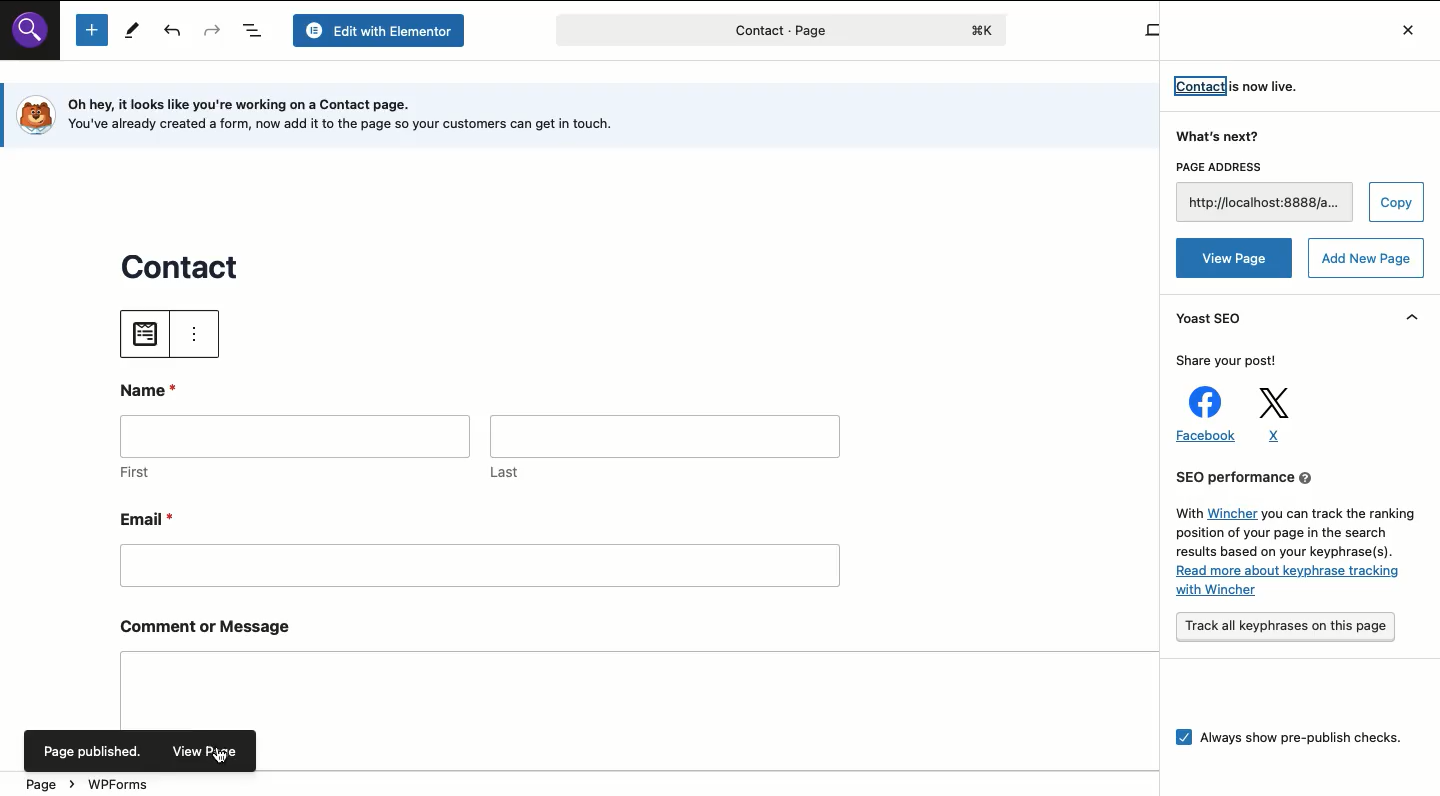 The image size is (1440, 796). I want to click on Oh hey, it looks like you're working on a Contact page.
[o} You've already created a form, now add it to the page so your customers can get in touch., so click(352, 114).